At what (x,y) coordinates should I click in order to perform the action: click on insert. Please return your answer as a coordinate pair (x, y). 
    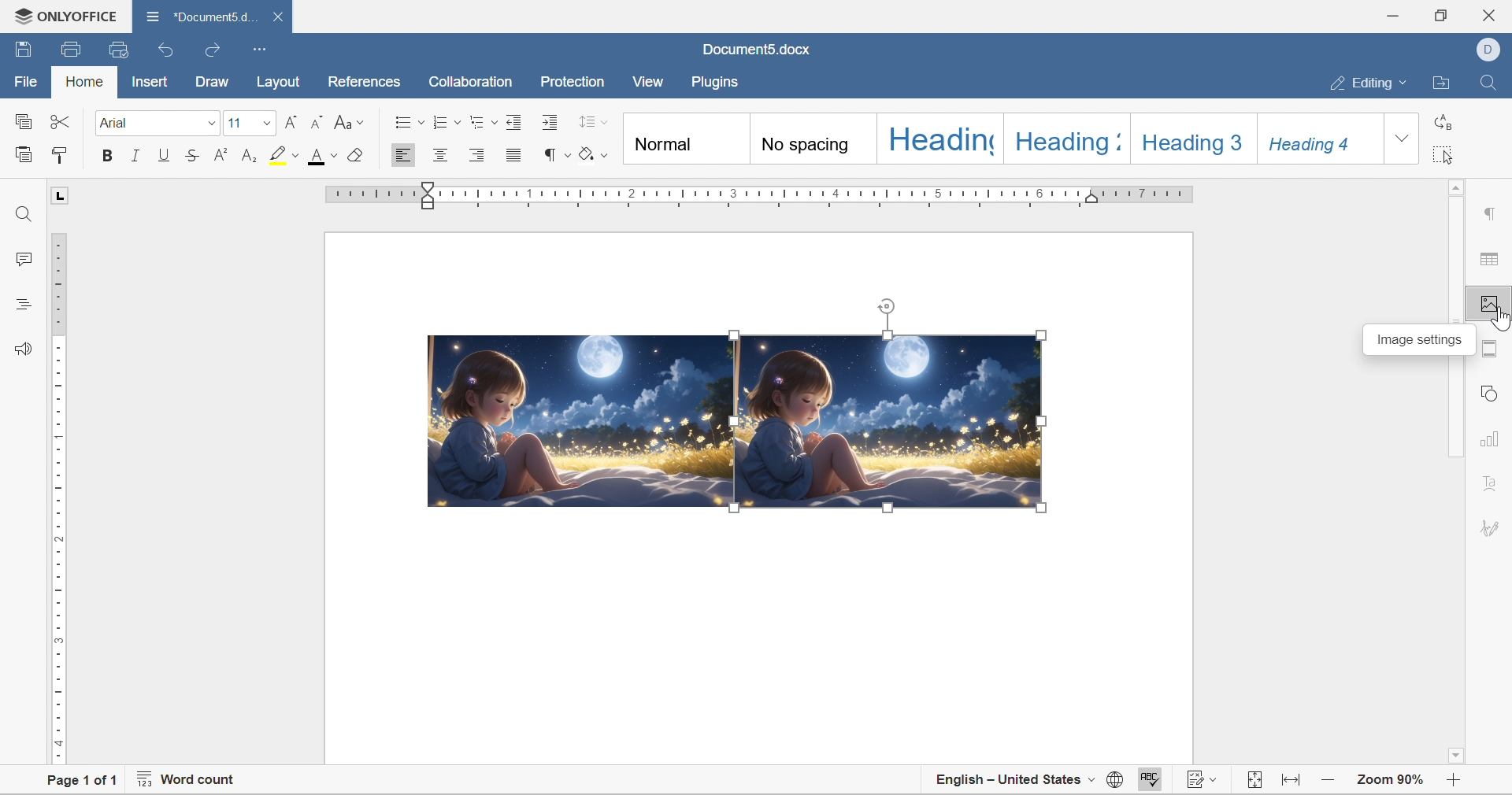
    Looking at the image, I should click on (150, 83).